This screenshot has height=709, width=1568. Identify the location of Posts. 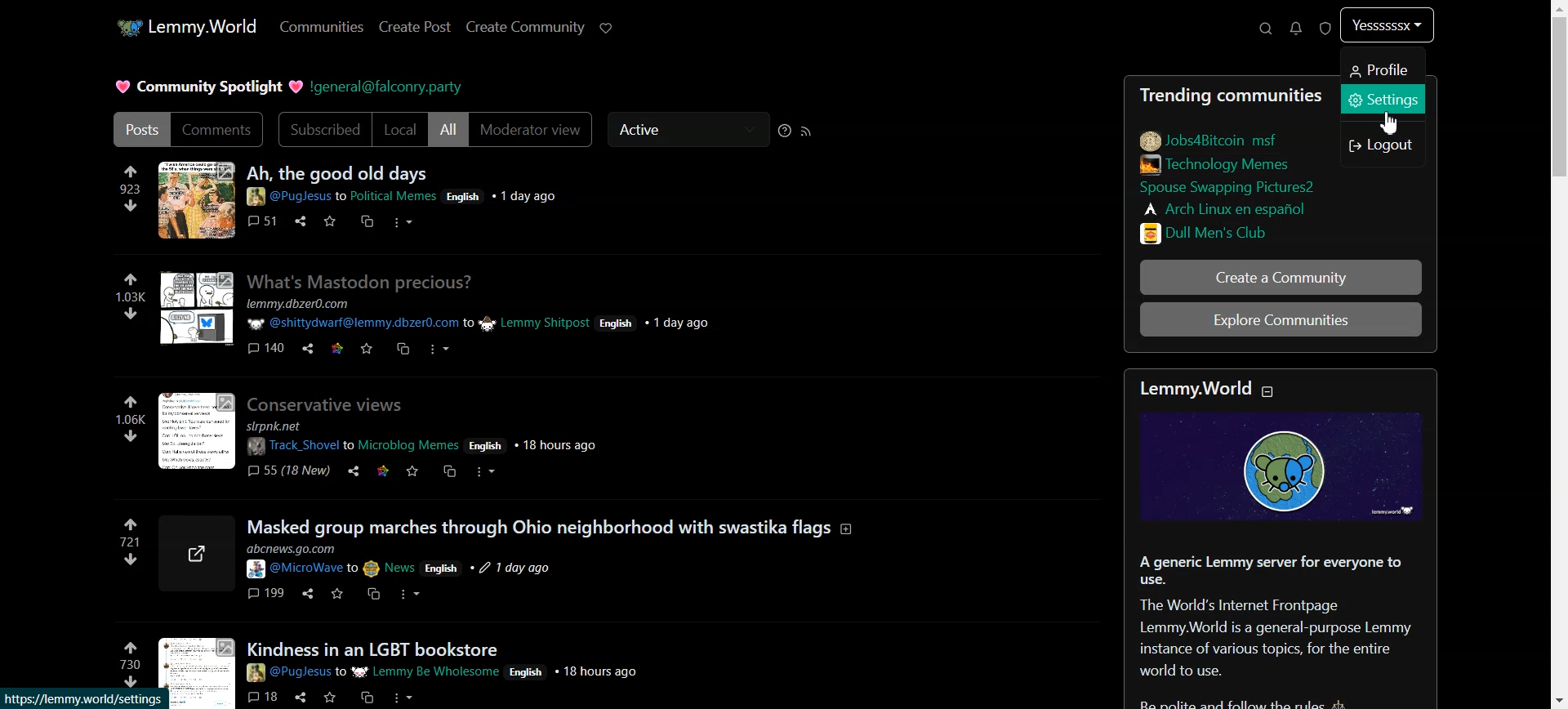
(138, 129).